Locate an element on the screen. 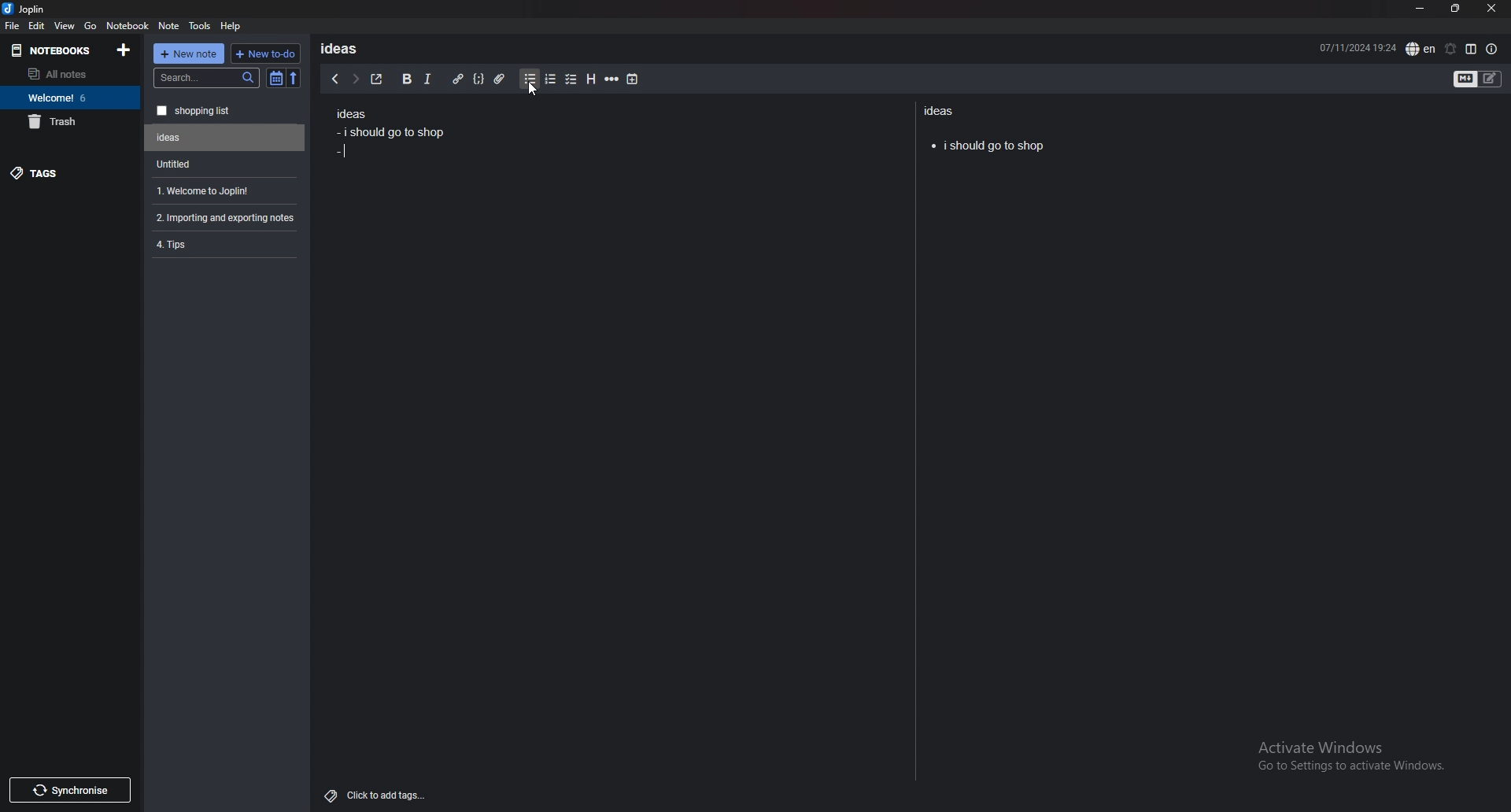 This screenshot has width=1511, height=812. add time is located at coordinates (634, 79).